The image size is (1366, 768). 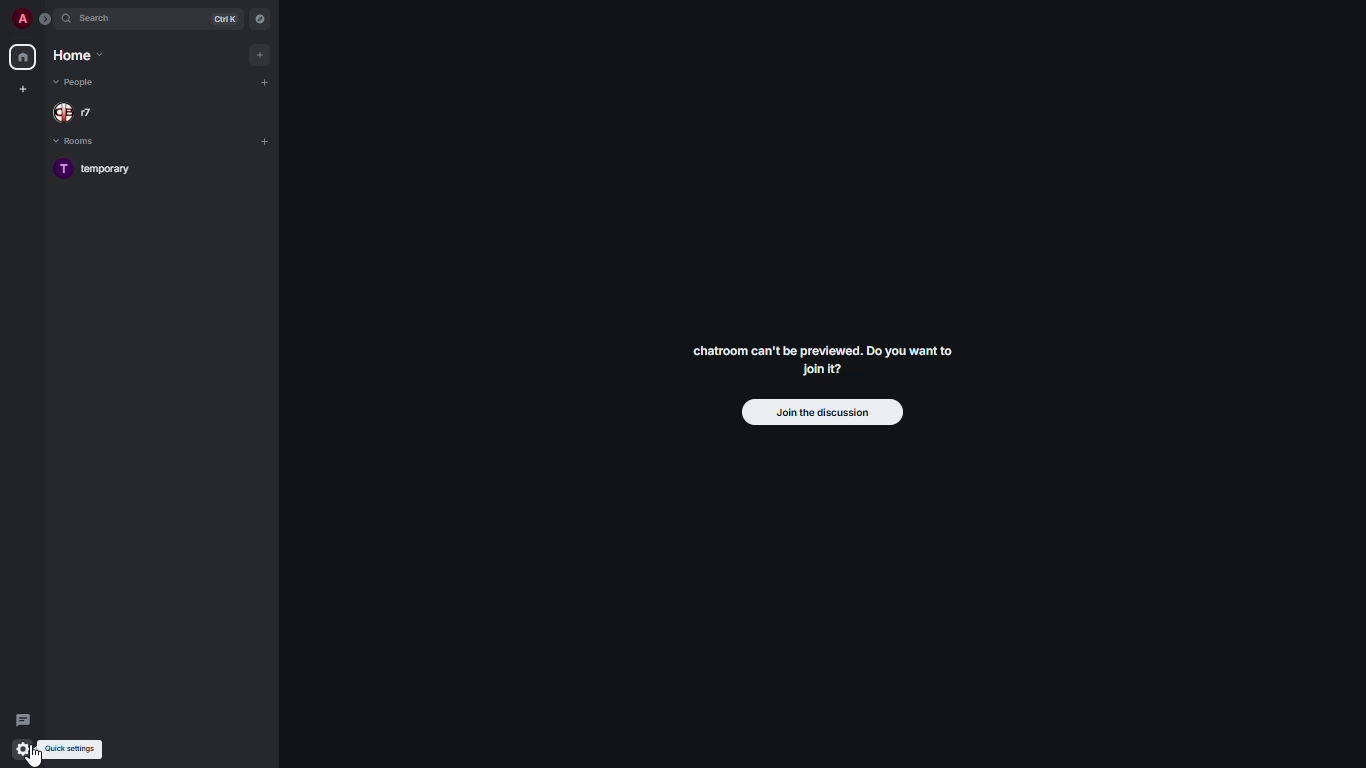 What do you see at coordinates (80, 144) in the screenshot?
I see `rooms` at bounding box center [80, 144].